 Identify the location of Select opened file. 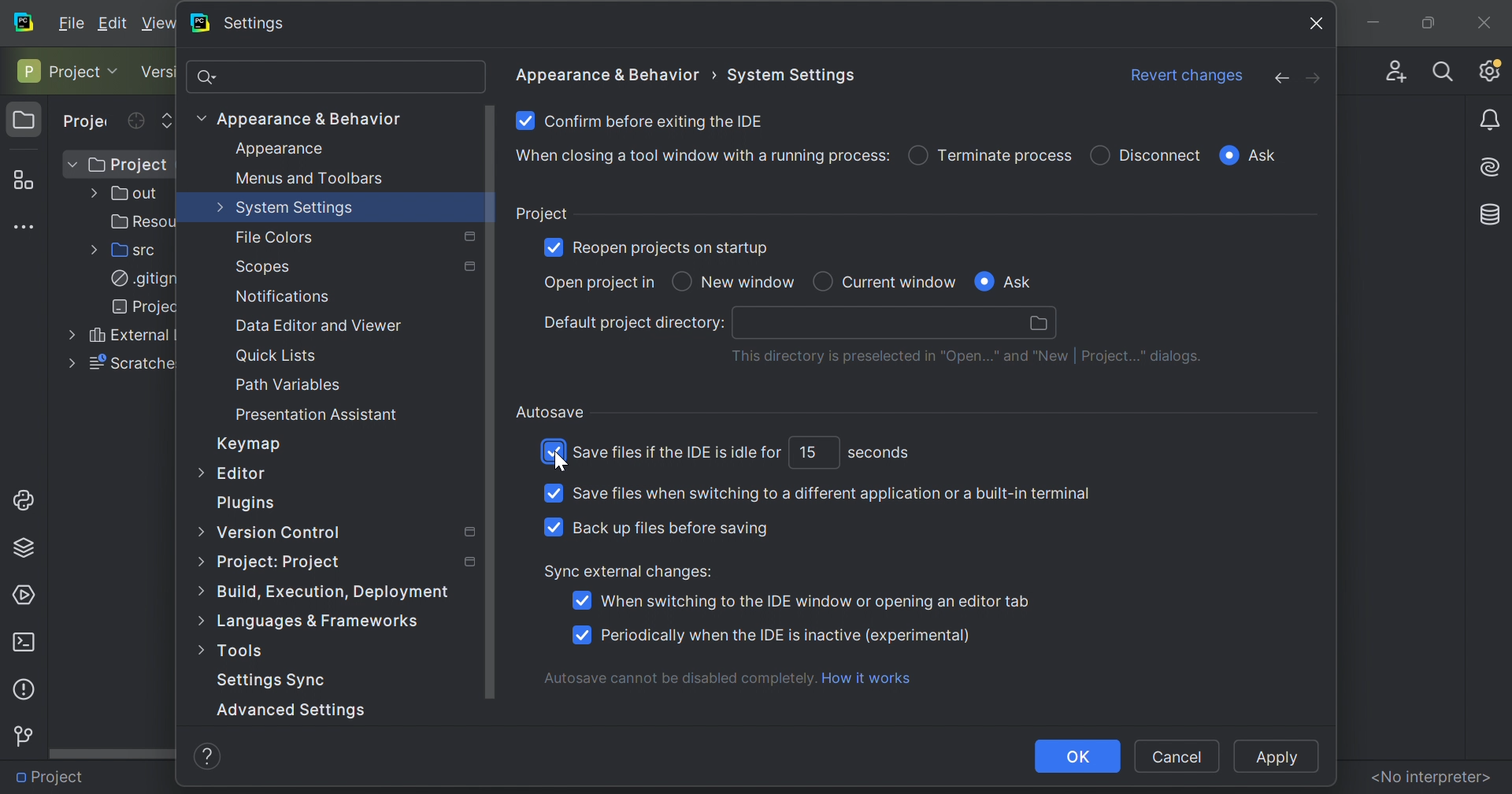
(135, 121).